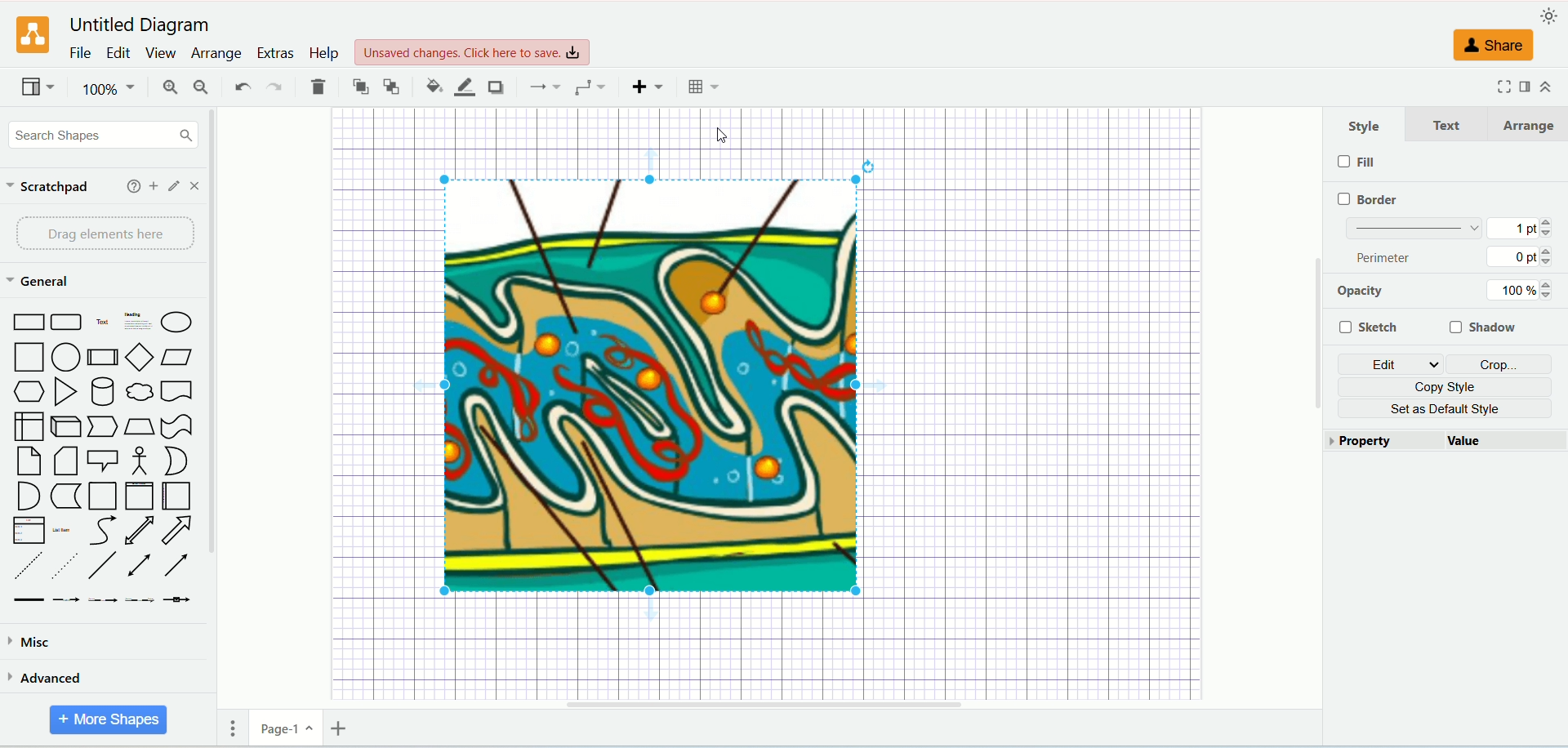 Image resolution: width=1568 pixels, height=748 pixels. What do you see at coordinates (216, 55) in the screenshot?
I see `arrange` at bounding box center [216, 55].